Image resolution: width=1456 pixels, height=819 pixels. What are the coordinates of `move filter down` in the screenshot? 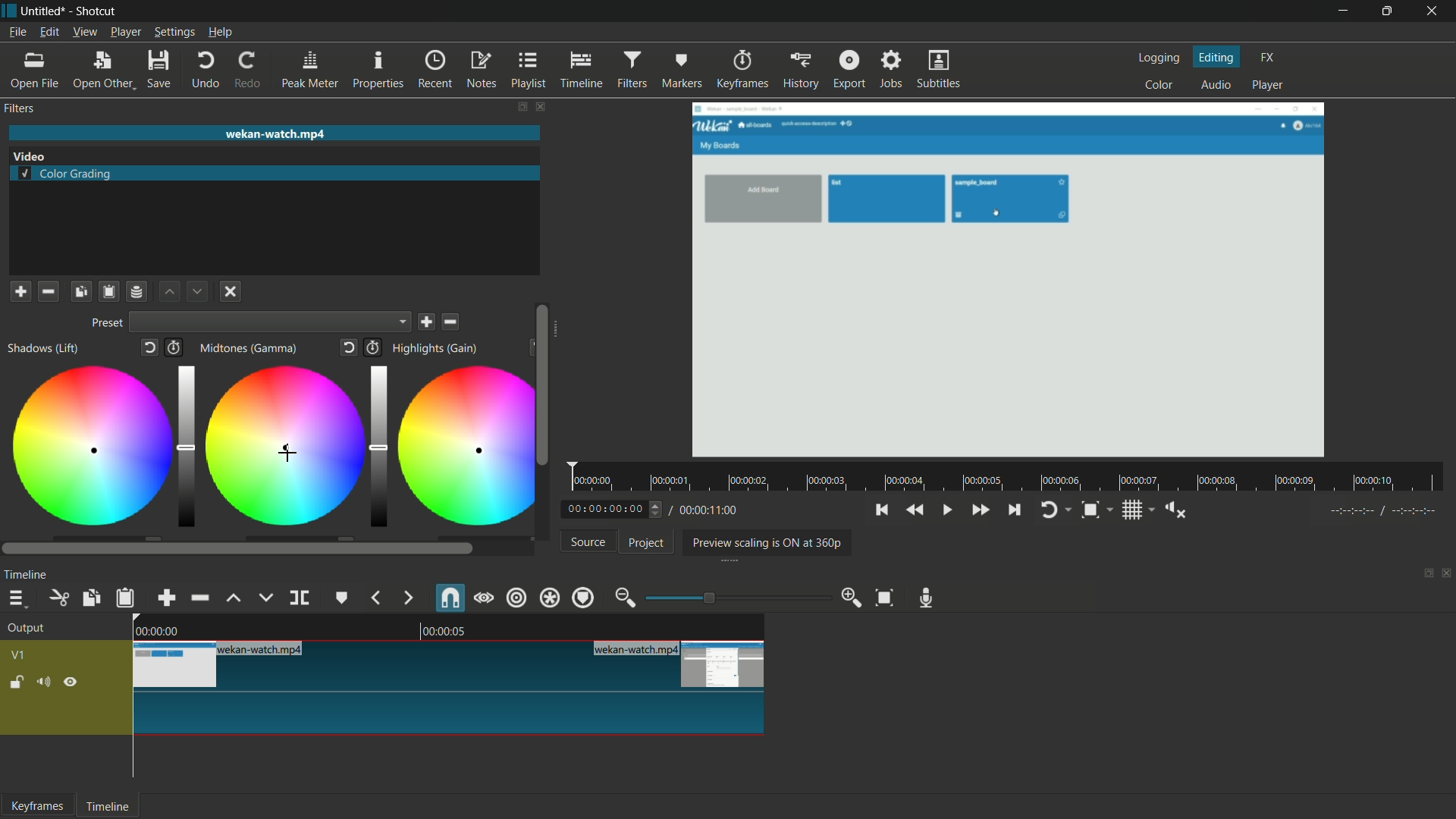 It's located at (198, 290).